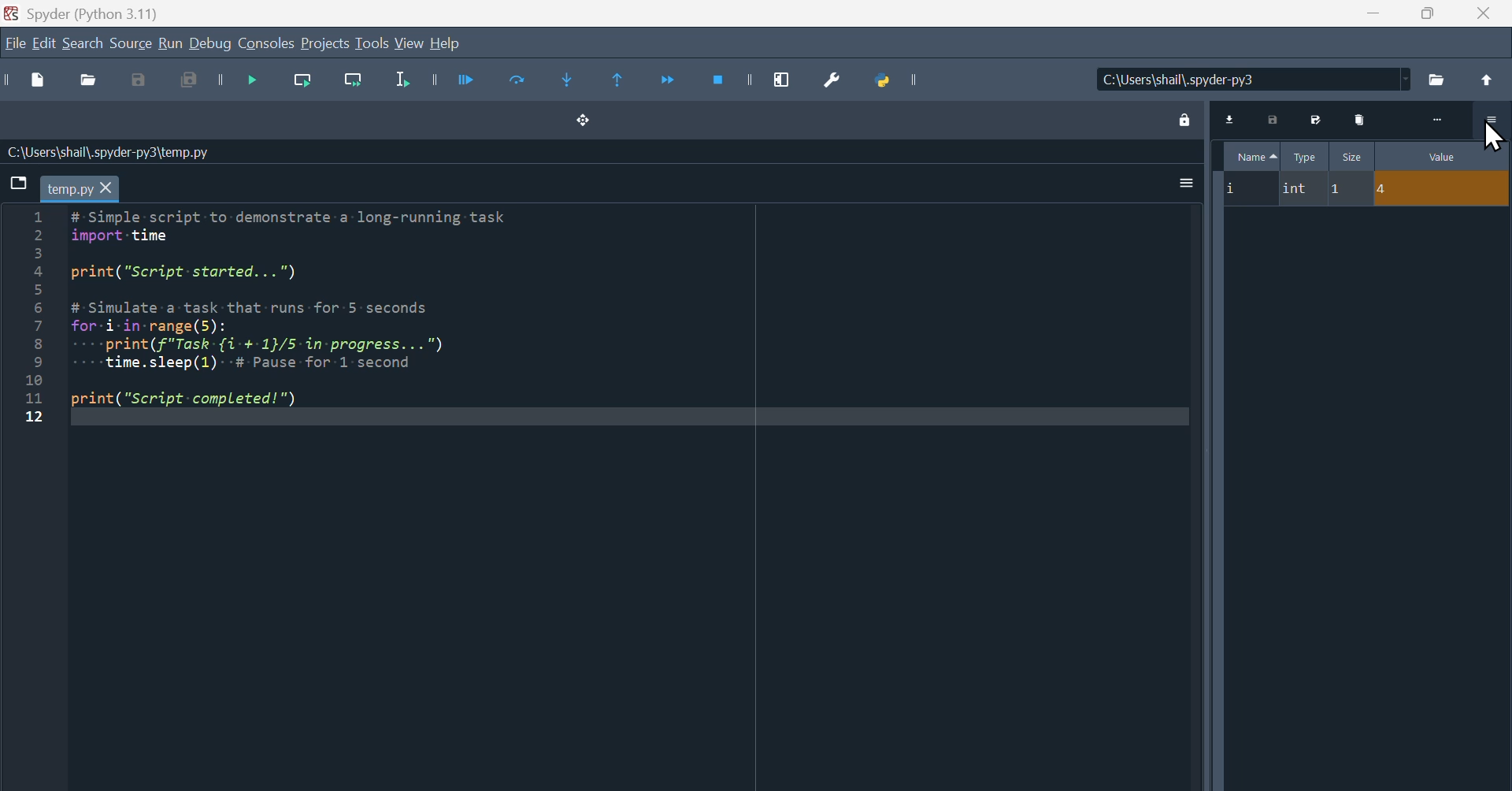 This screenshot has height=791, width=1512. I want to click on Run current line and go to the next one, so click(355, 80).